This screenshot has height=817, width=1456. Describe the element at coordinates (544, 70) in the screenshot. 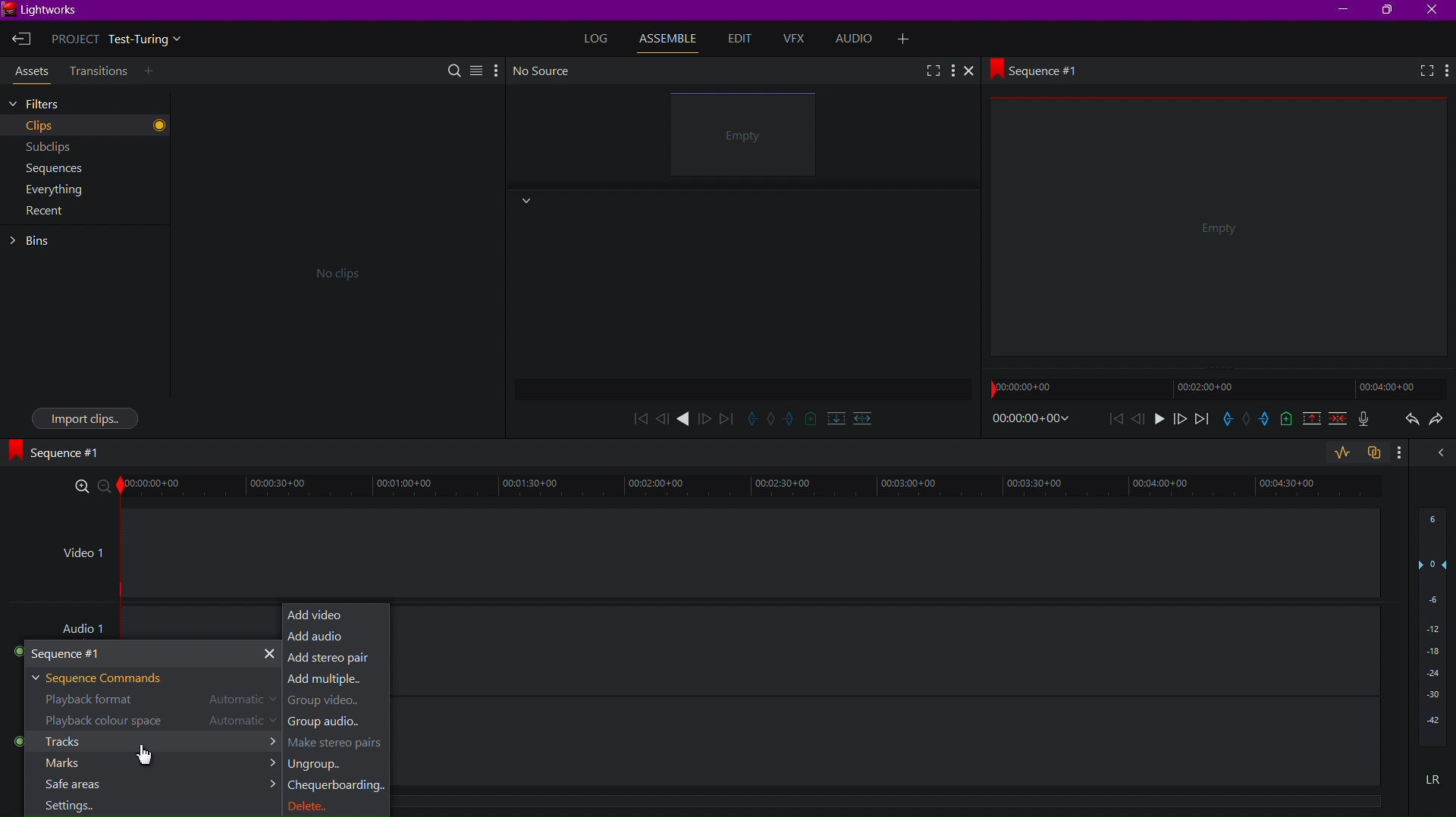

I see `No Source` at that location.